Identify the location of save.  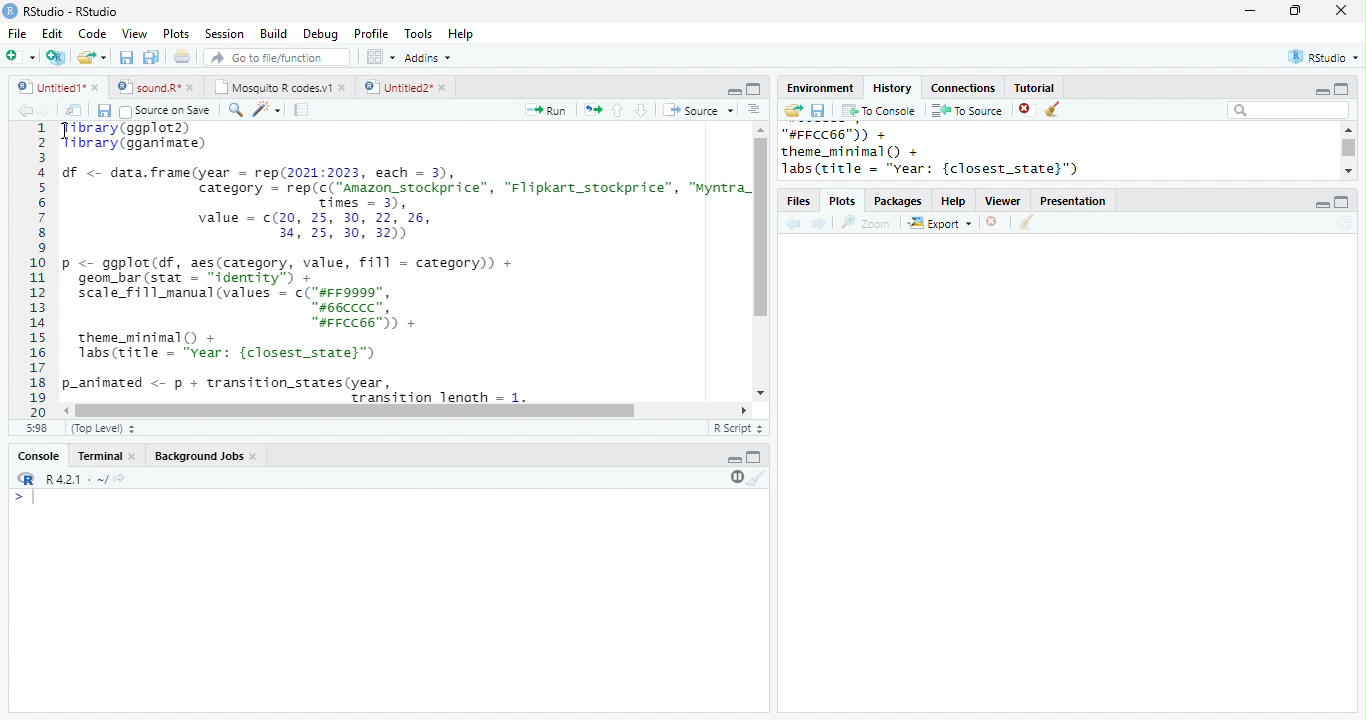
(818, 110).